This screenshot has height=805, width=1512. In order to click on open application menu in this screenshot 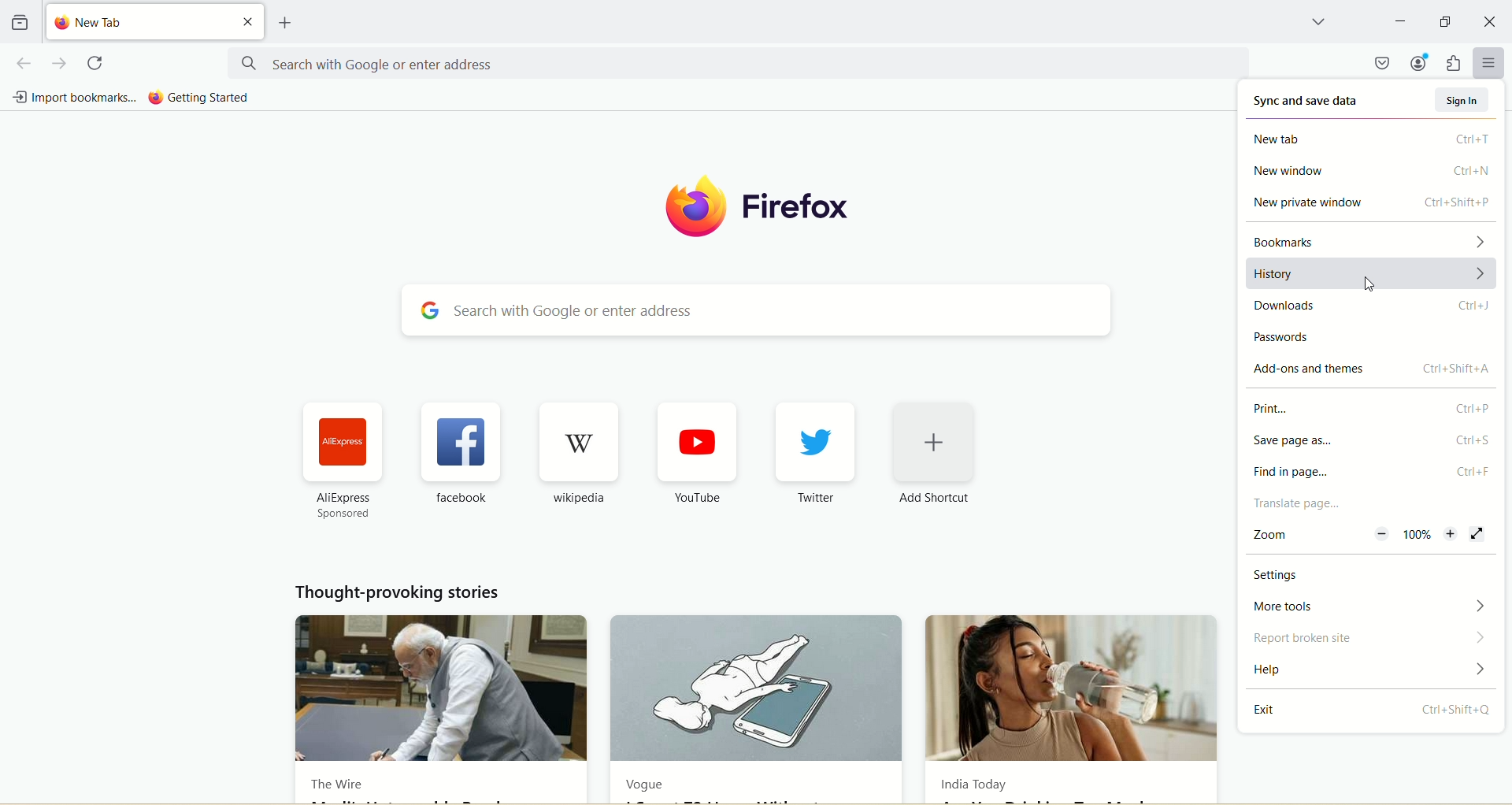, I will do `click(1488, 62)`.